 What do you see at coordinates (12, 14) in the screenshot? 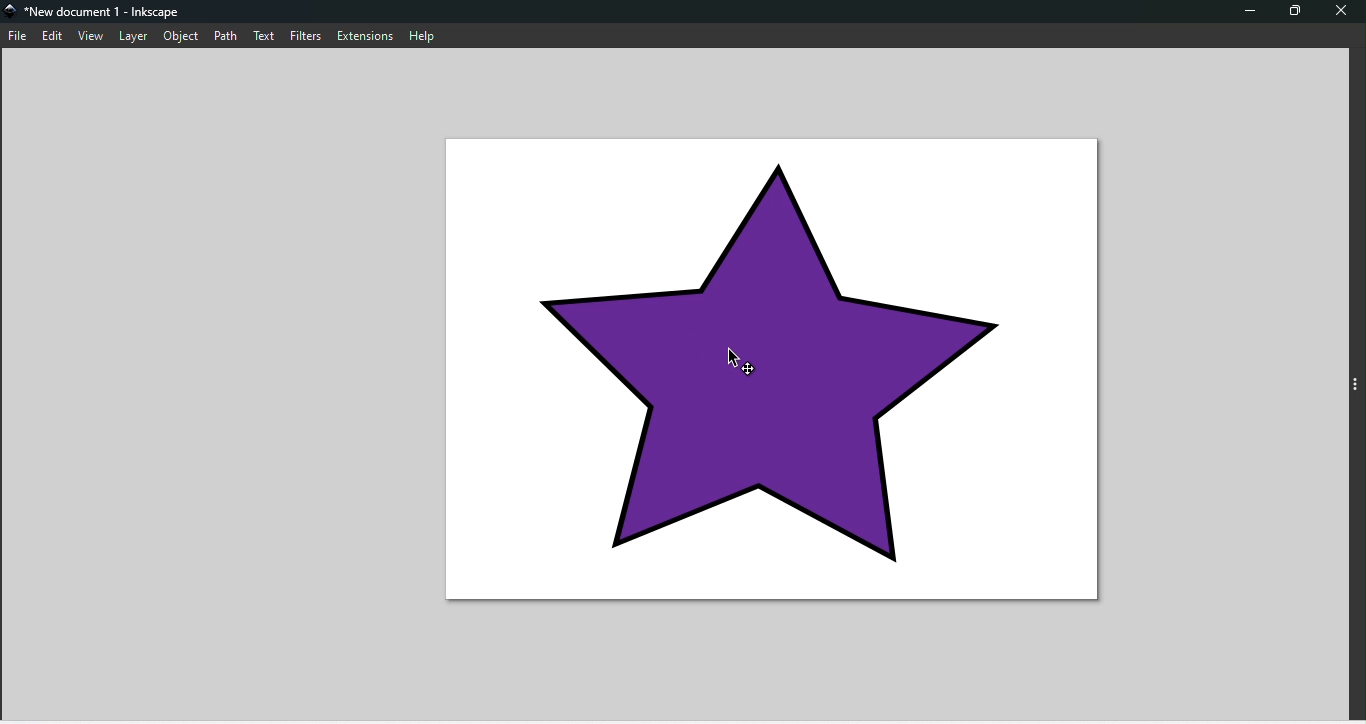
I see `logo` at bounding box center [12, 14].